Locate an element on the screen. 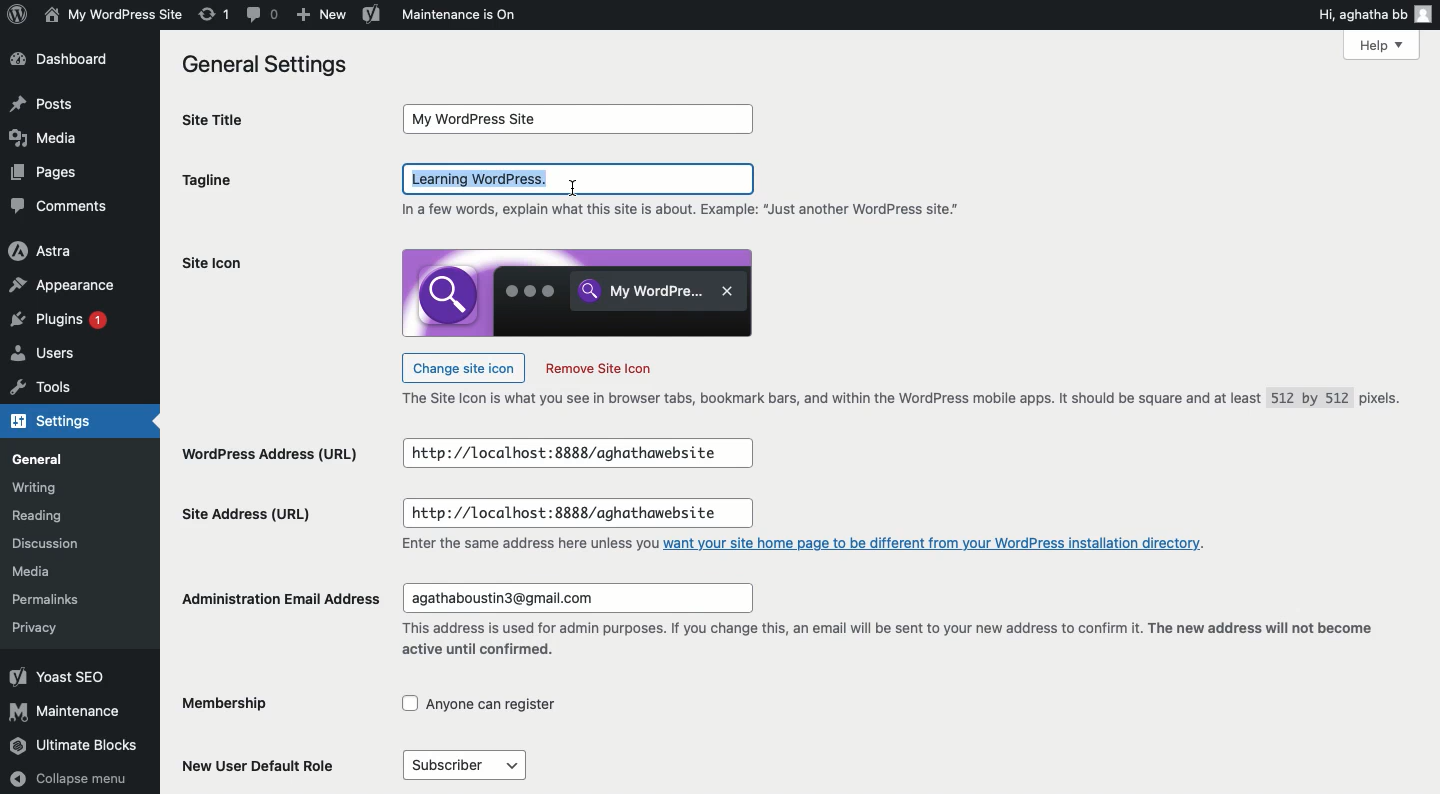  checkbox is located at coordinates (480, 704).